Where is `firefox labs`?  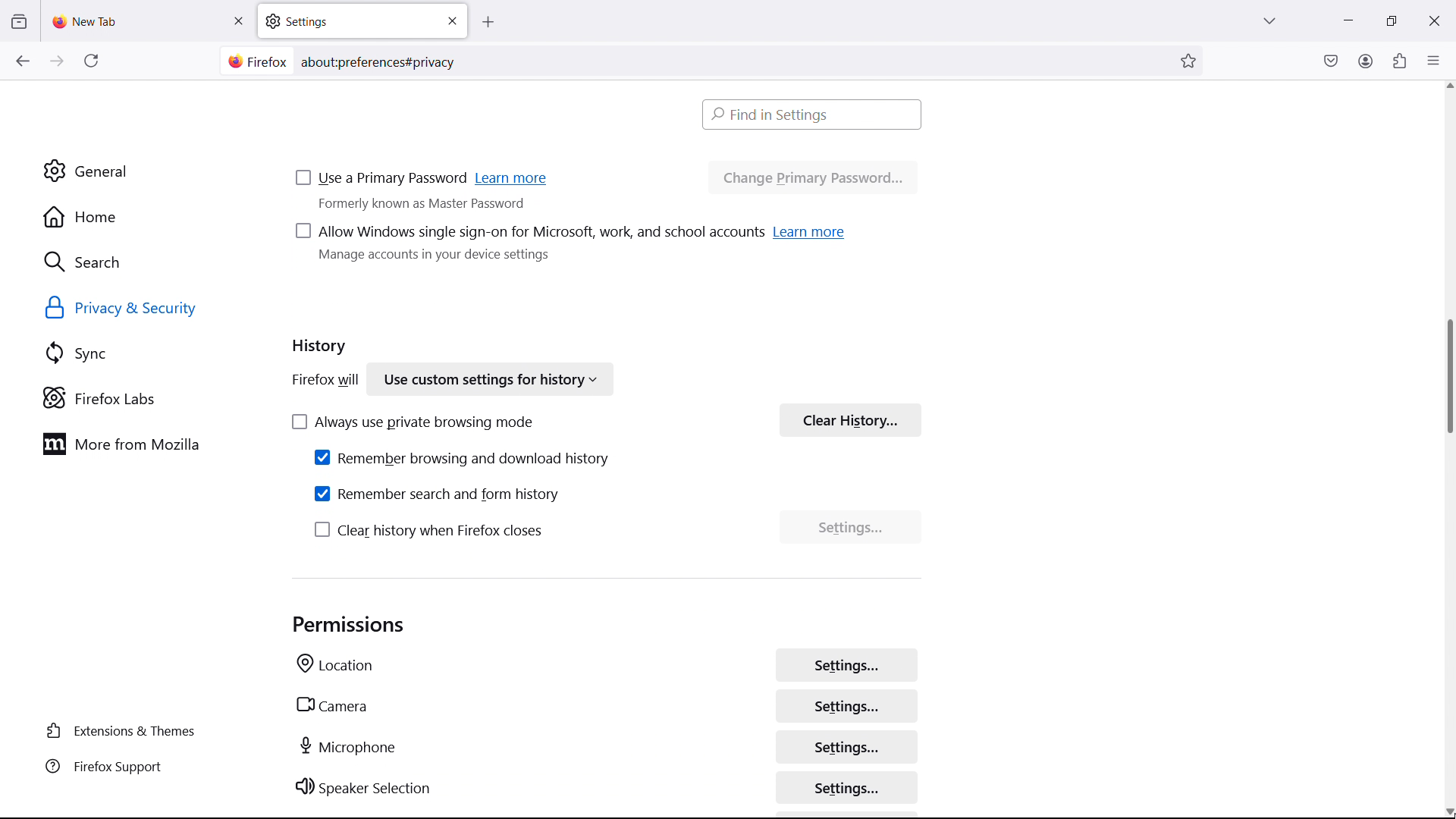 firefox labs is located at coordinates (149, 398).